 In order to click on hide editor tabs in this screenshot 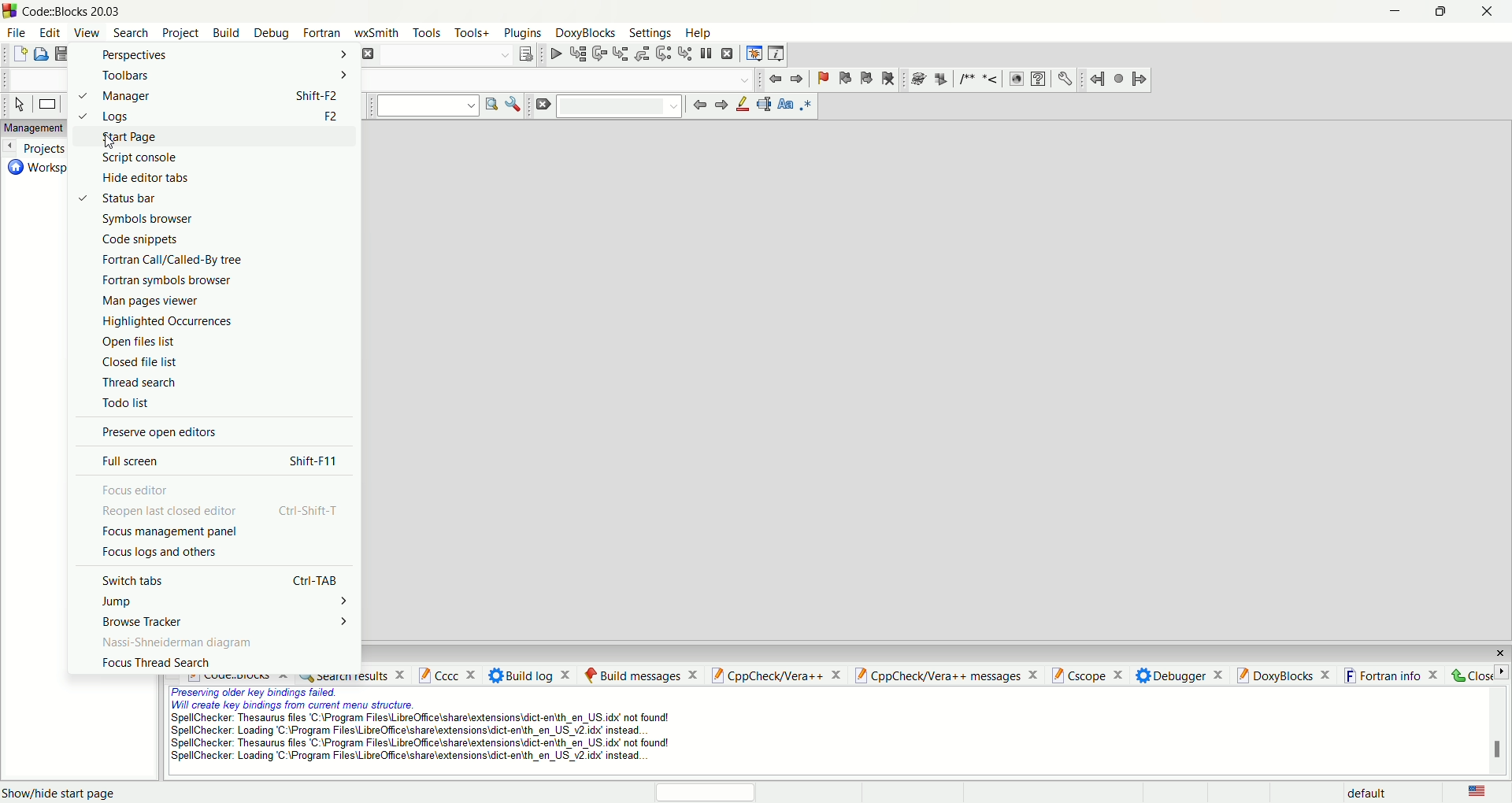, I will do `click(142, 179)`.